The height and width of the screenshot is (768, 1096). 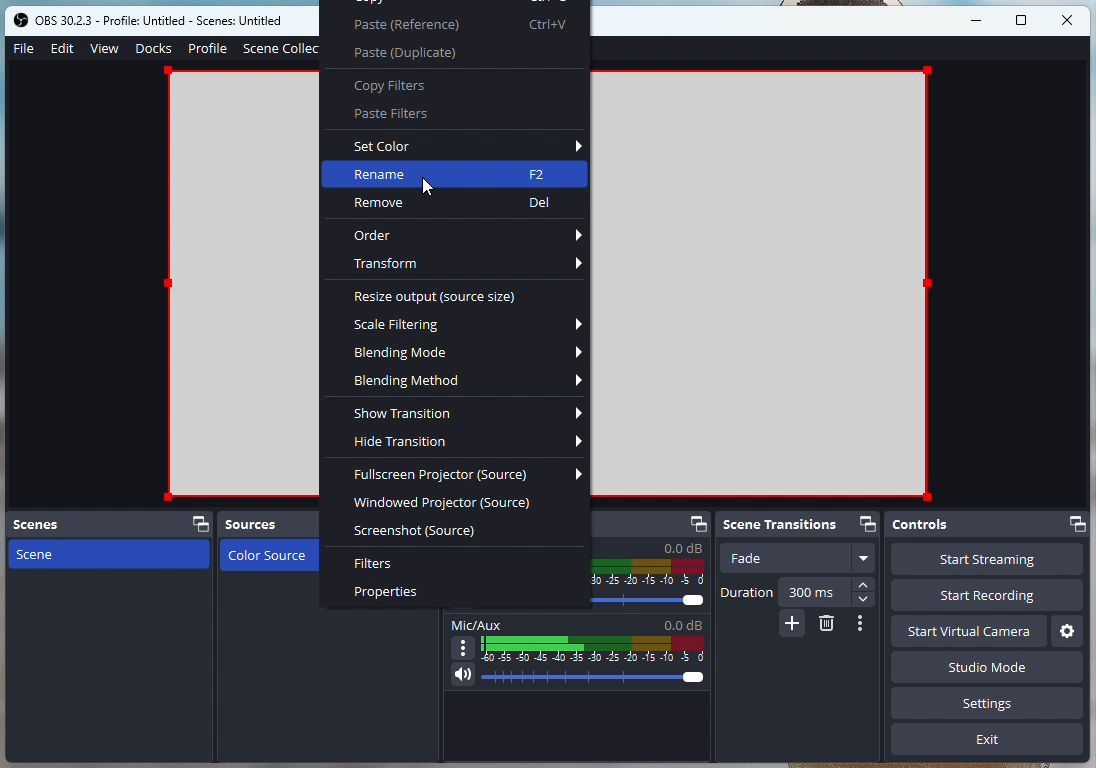 I want to click on Screenshot (Source), so click(x=424, y=530).